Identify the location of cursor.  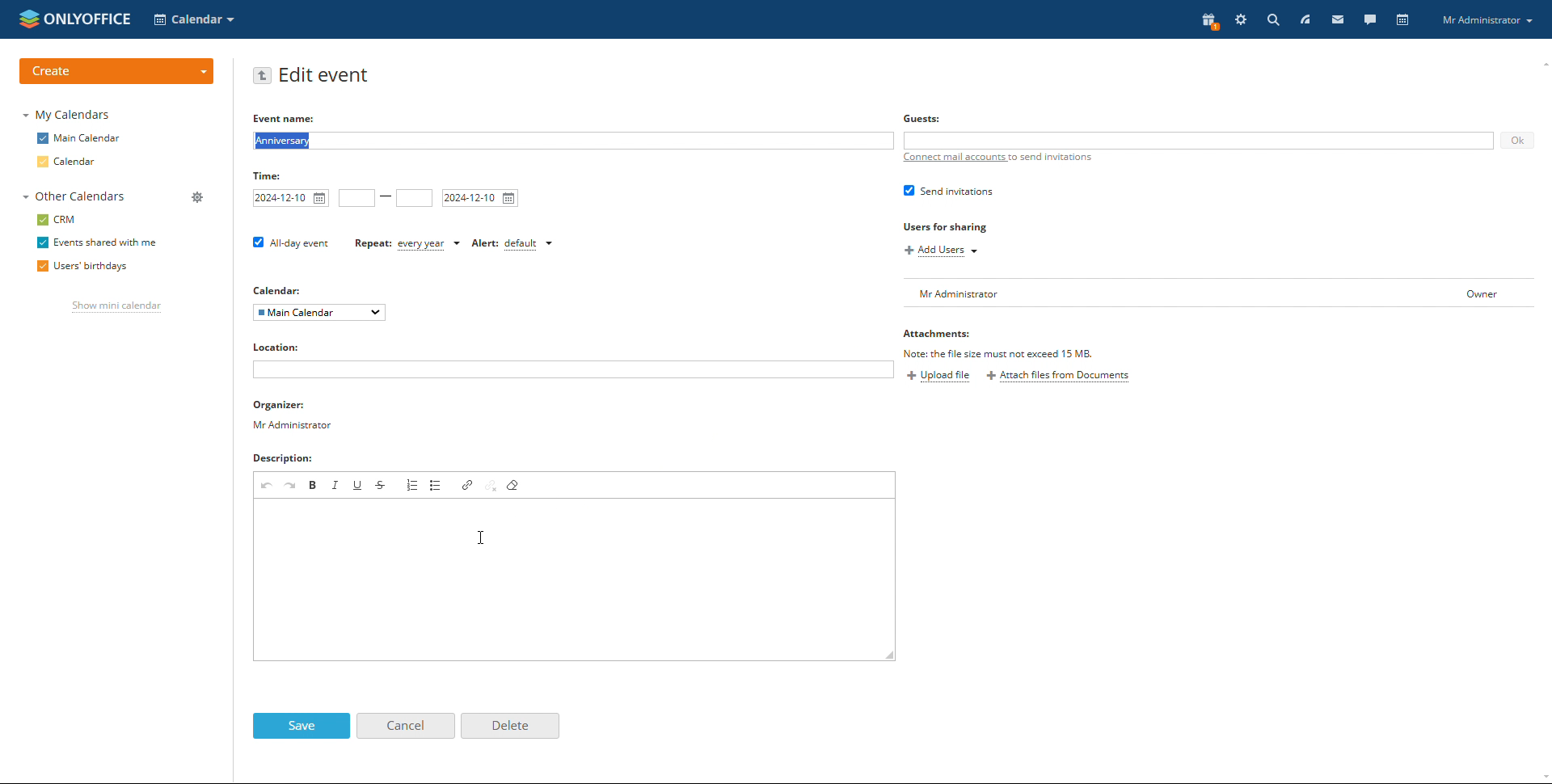
(480, 537).